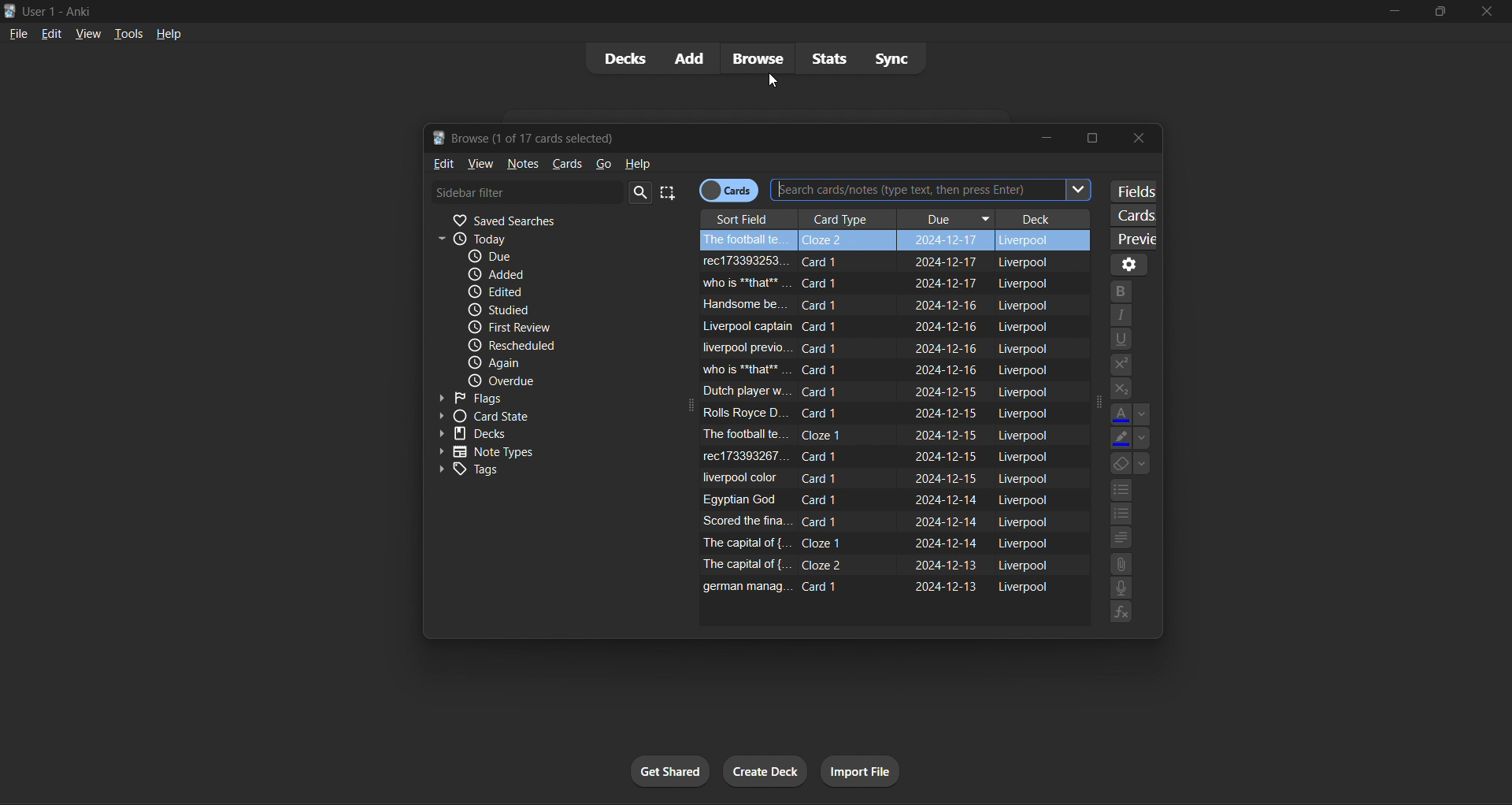  I want to click on italic, so click(1124, 315).